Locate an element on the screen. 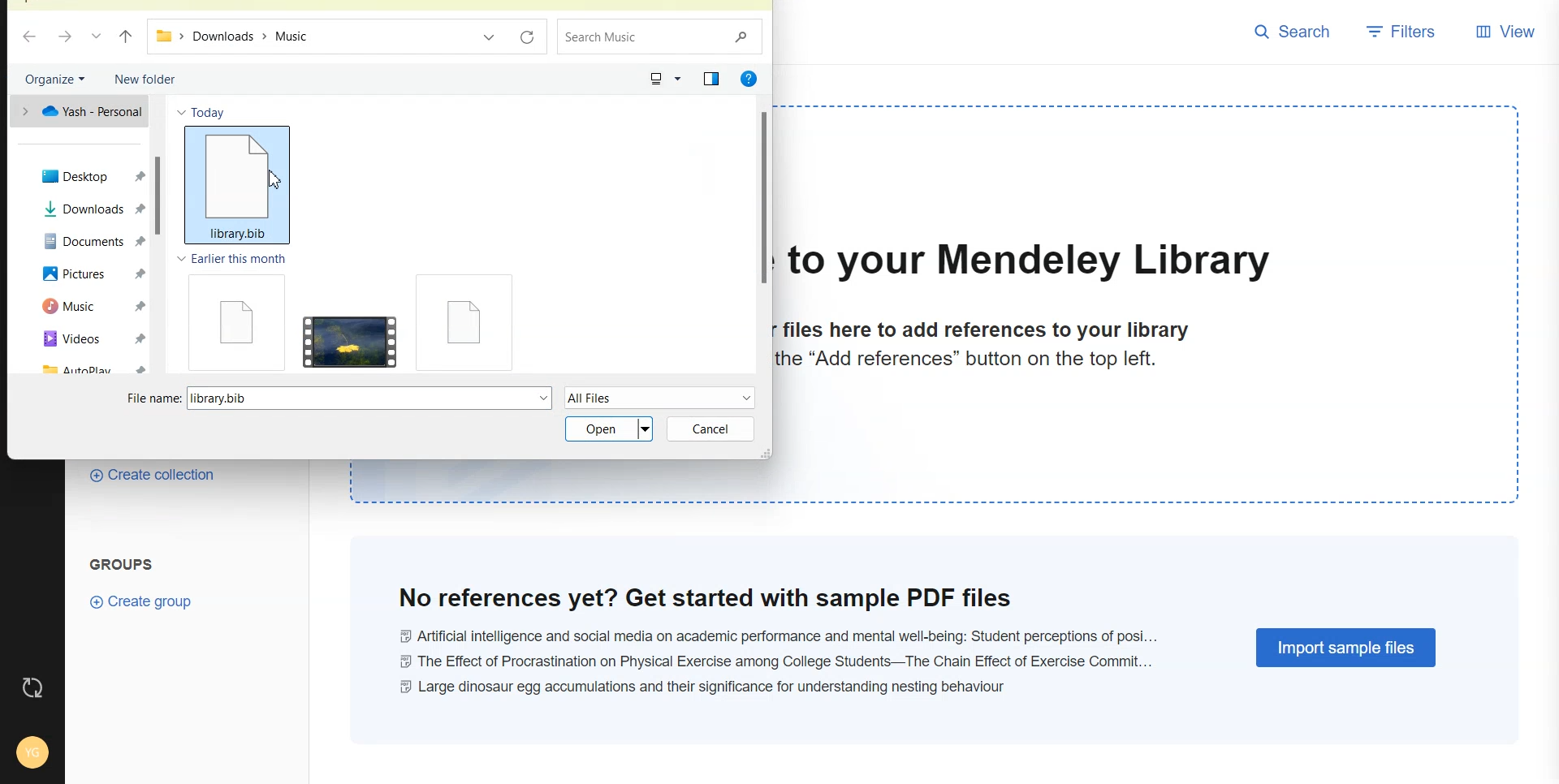 Image resolution: width=1559 pixels, height=784 pixels. Today is located at coordinates (201, 111).